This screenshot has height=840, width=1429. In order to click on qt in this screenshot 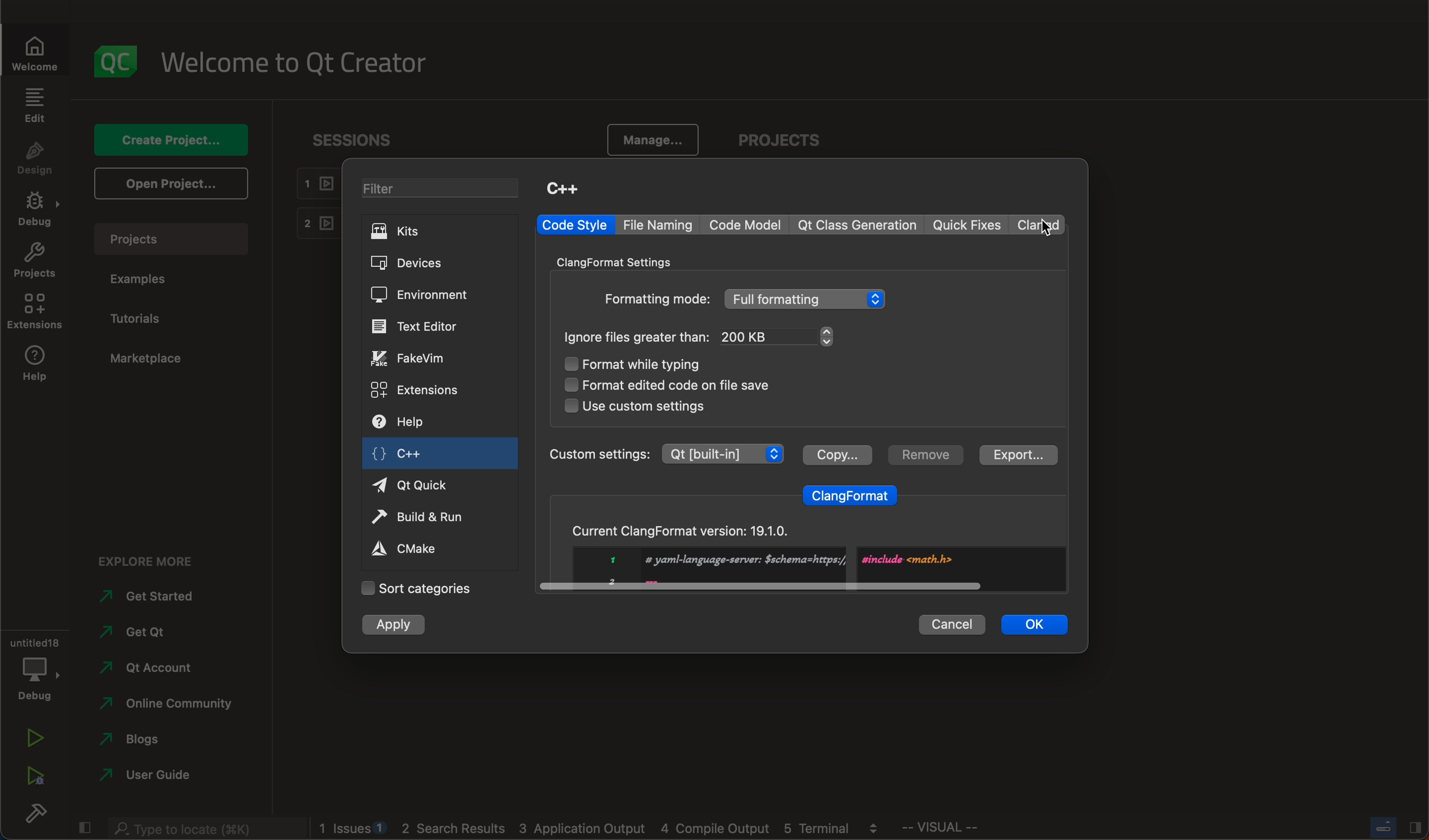, I will do `click(425, 485)`.